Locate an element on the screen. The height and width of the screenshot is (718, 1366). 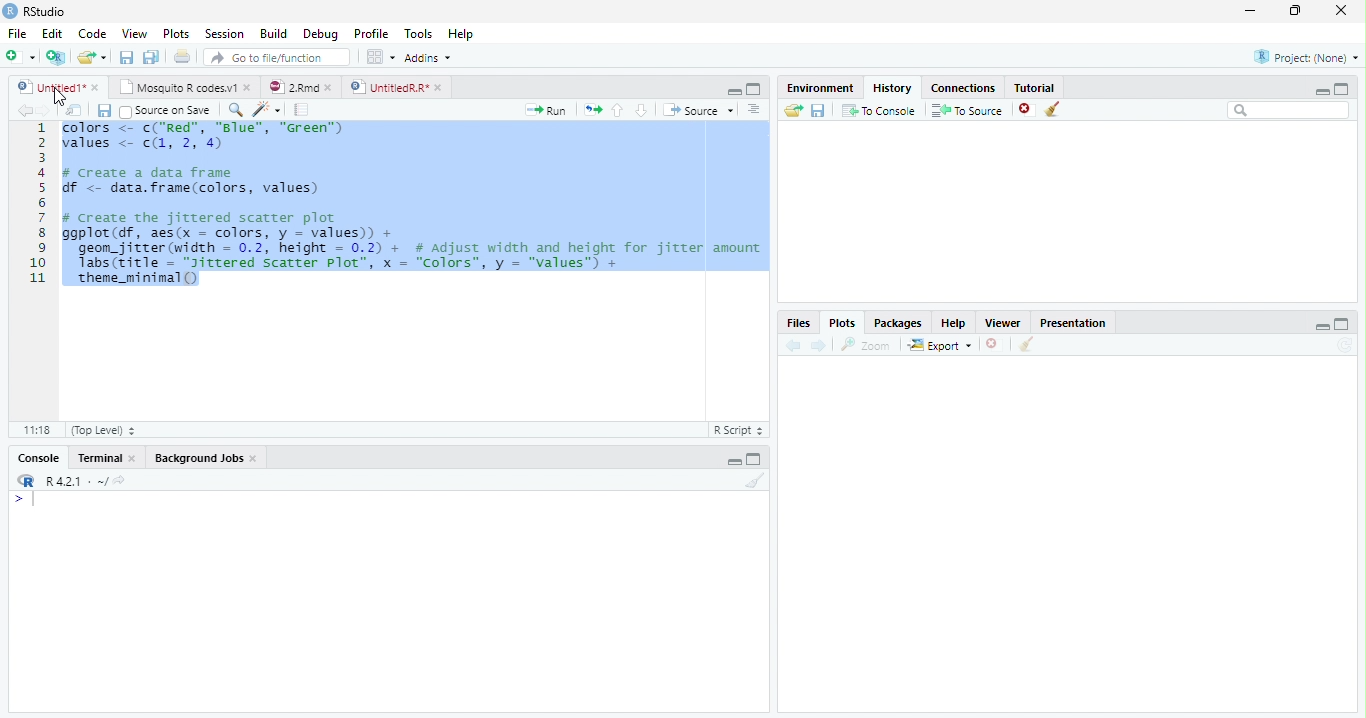
Save history into a file is located at coordinates (818, 110).